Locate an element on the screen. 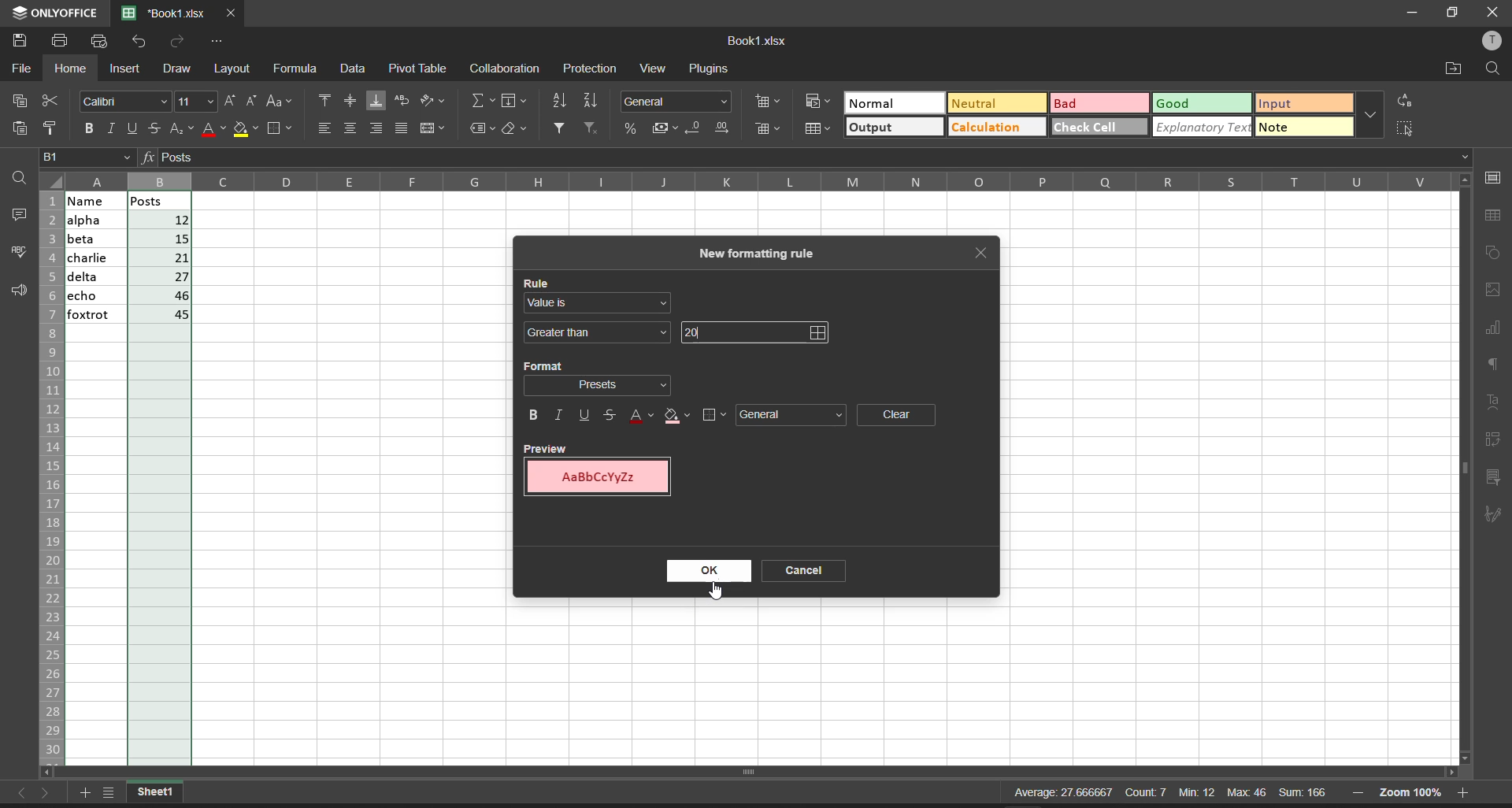 This screenshot has width=1512, height=808. open file location is located at coordinates (1454, 70).